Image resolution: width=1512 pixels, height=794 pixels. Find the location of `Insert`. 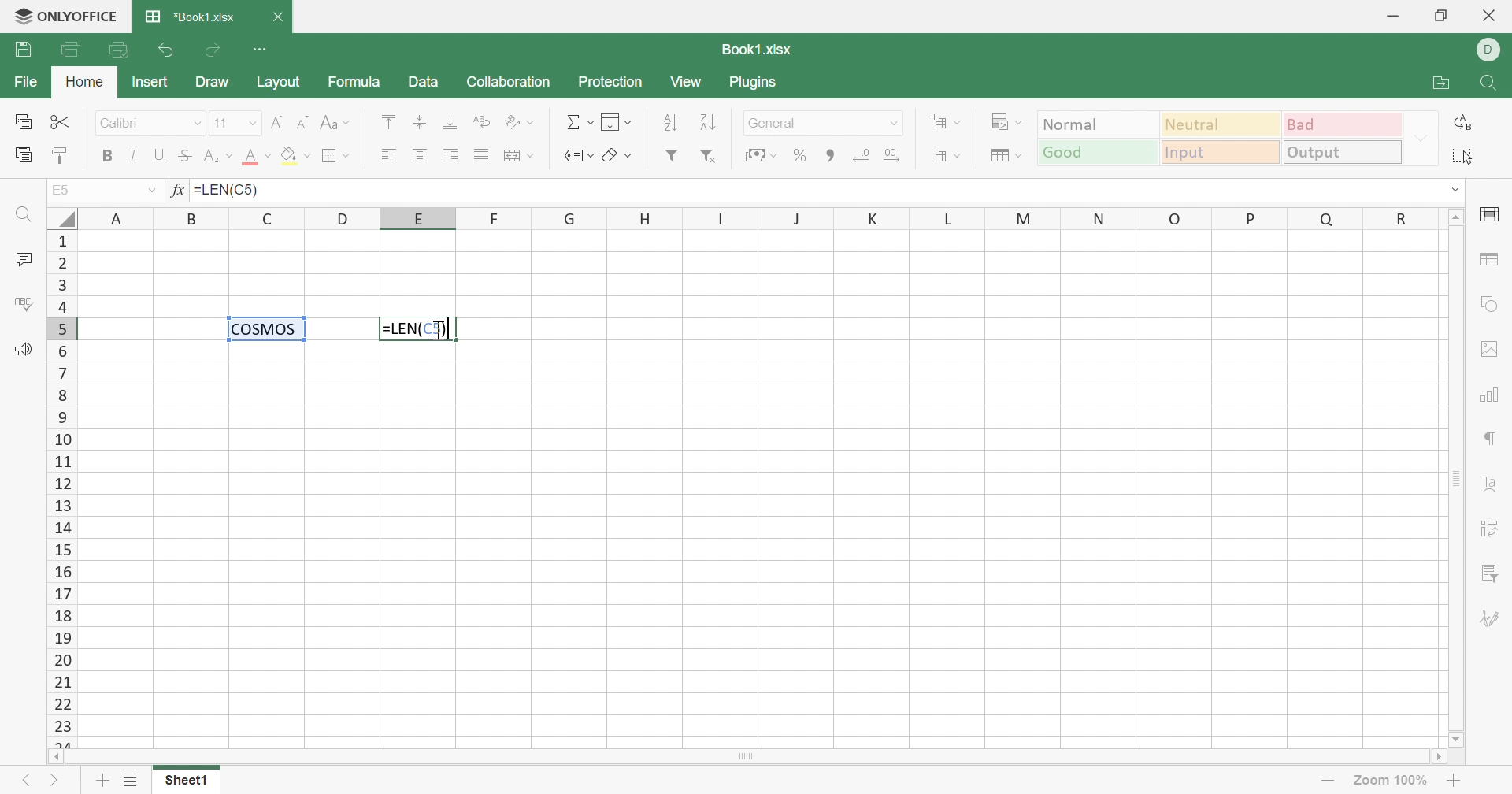

Insert is located at coordinates (151, 83).